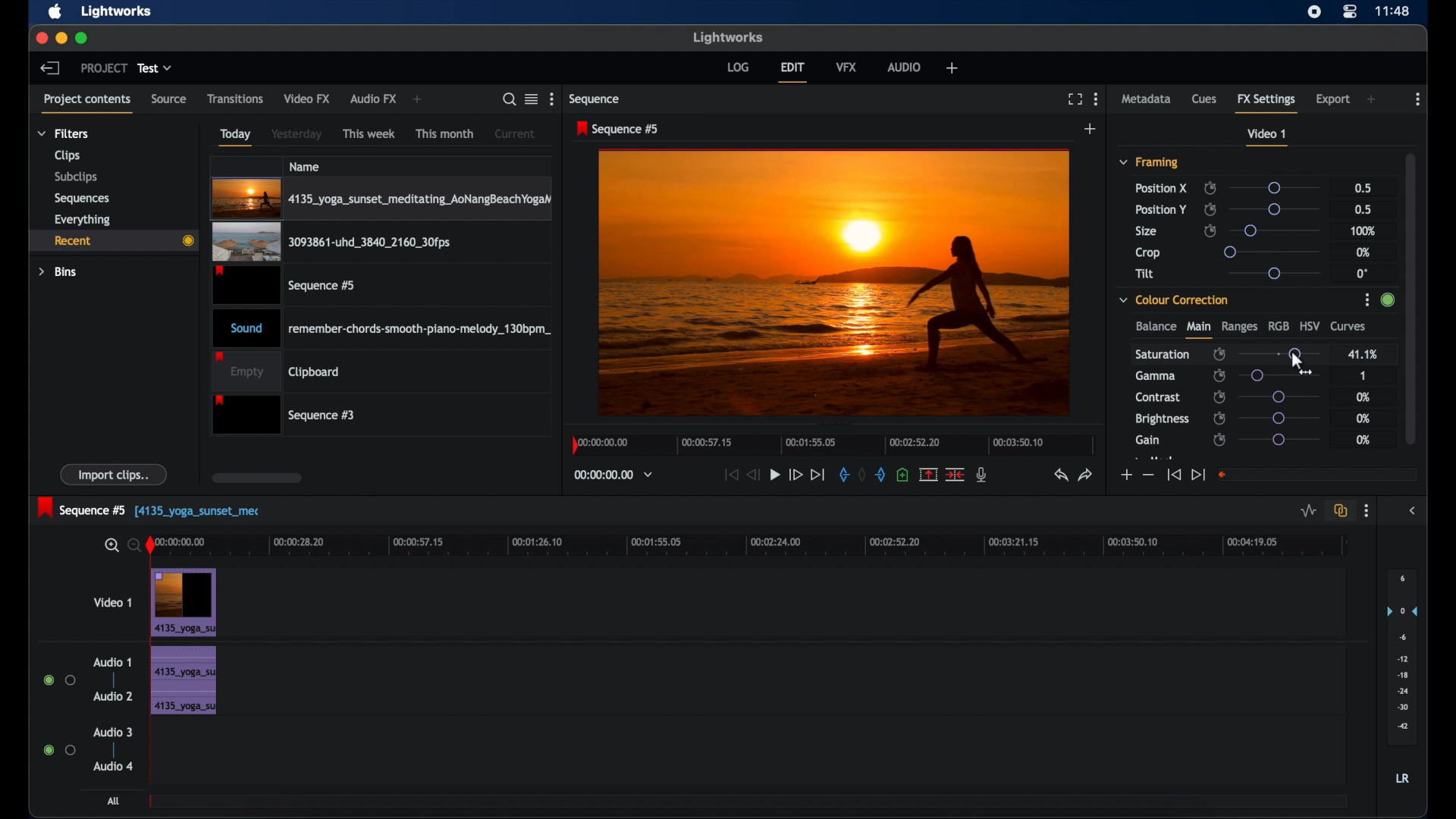 This screenshot has height=819, width=1456. Describe the element at coordinates (1373, 99) in the screenshot. I see `add` at that location.